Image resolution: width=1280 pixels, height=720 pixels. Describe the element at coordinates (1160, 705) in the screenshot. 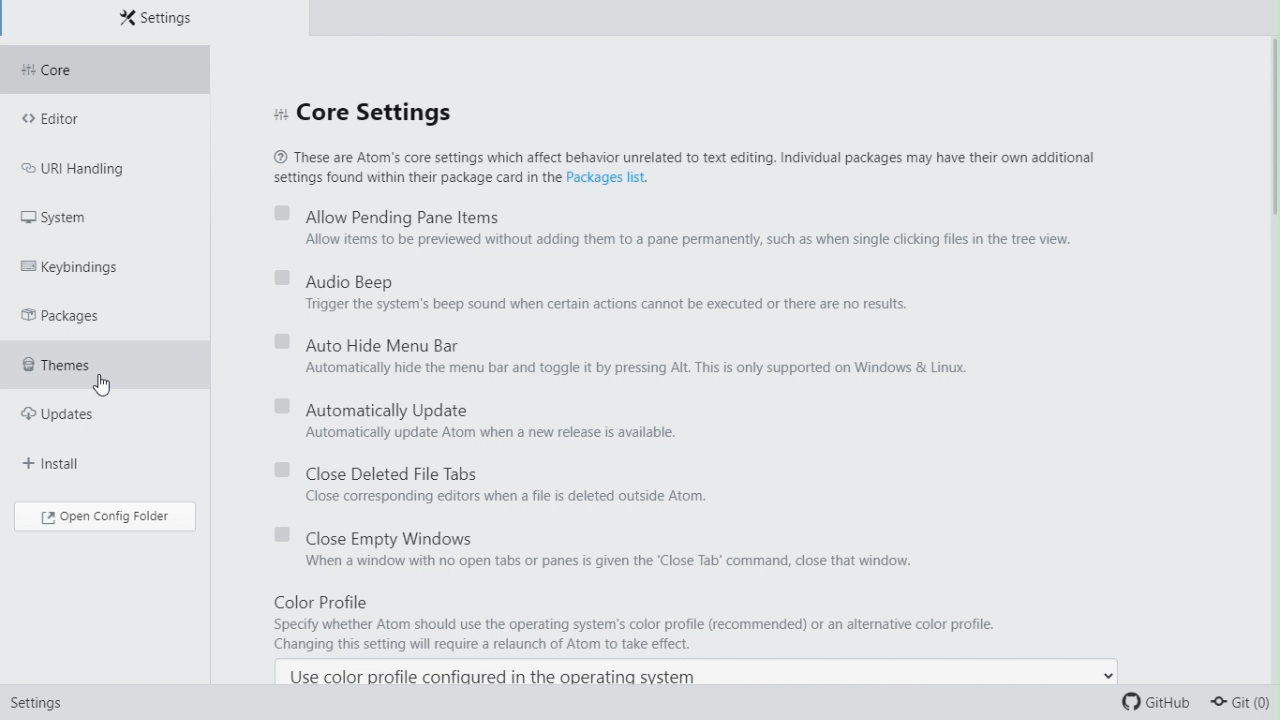

I see `Git Hub` at that location.